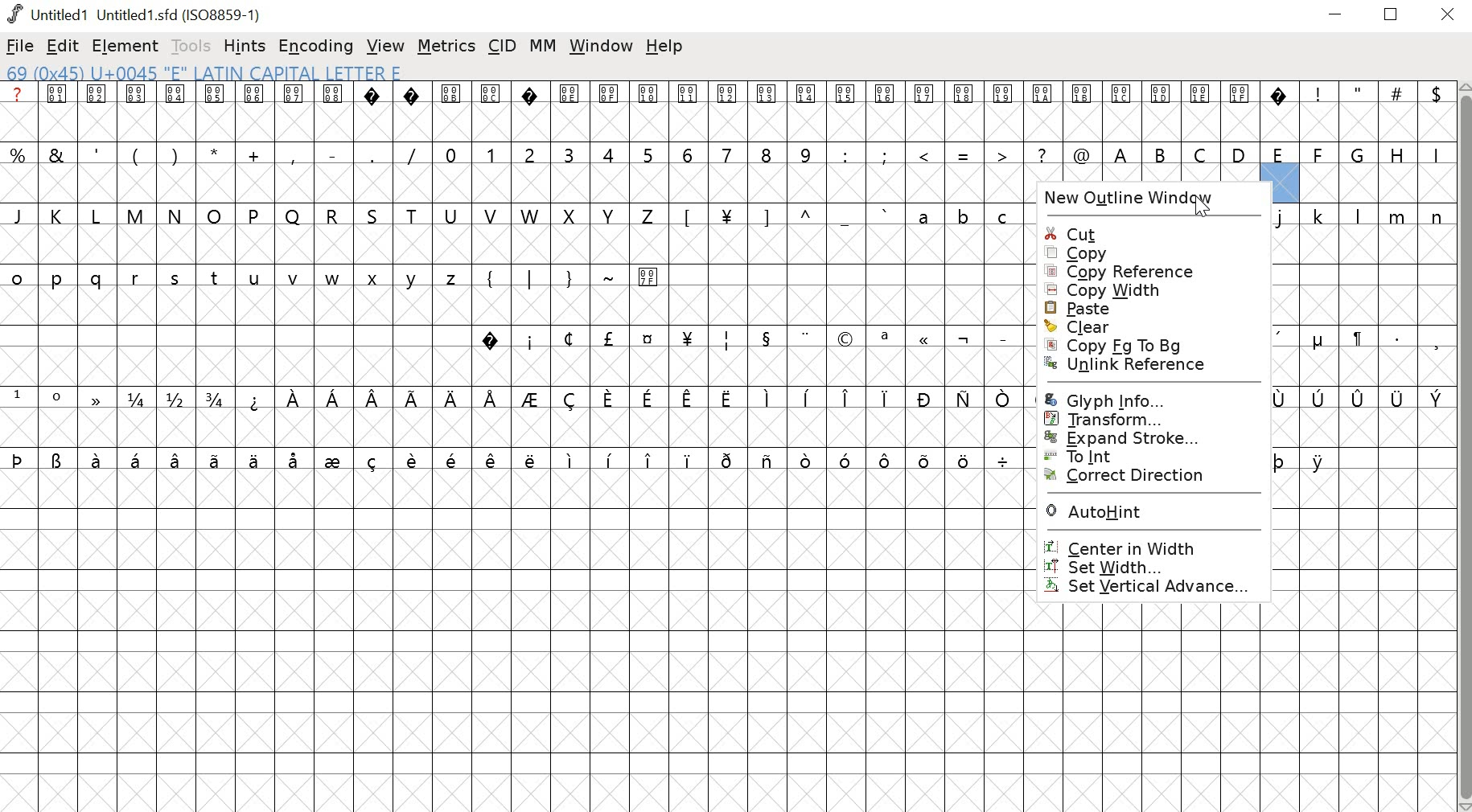 This screenshot has width=1472, height=812. I want to click on special characters and symbols, so click(1360, 338).